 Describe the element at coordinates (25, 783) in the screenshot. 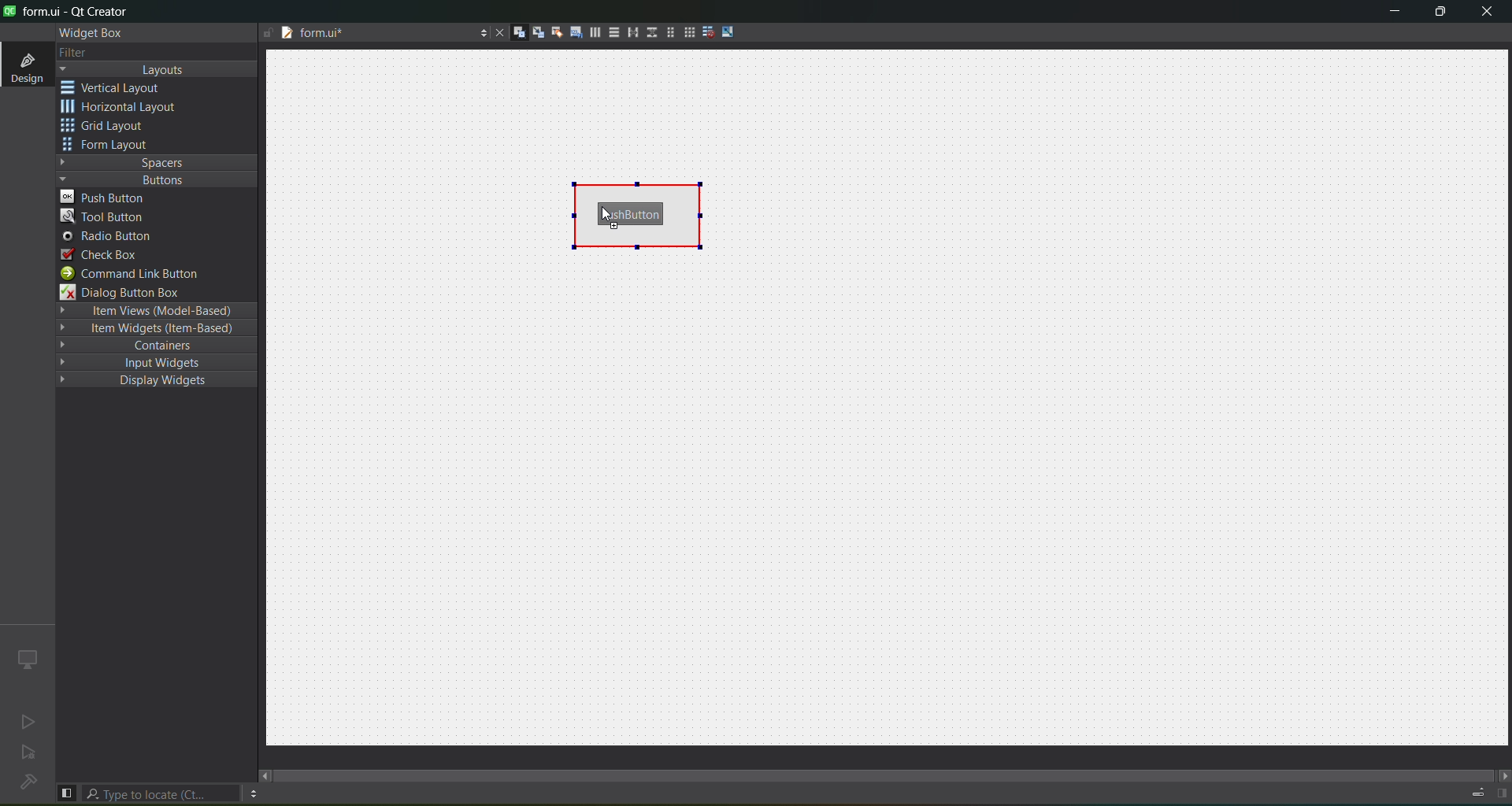

I see `no project loading` at that location.